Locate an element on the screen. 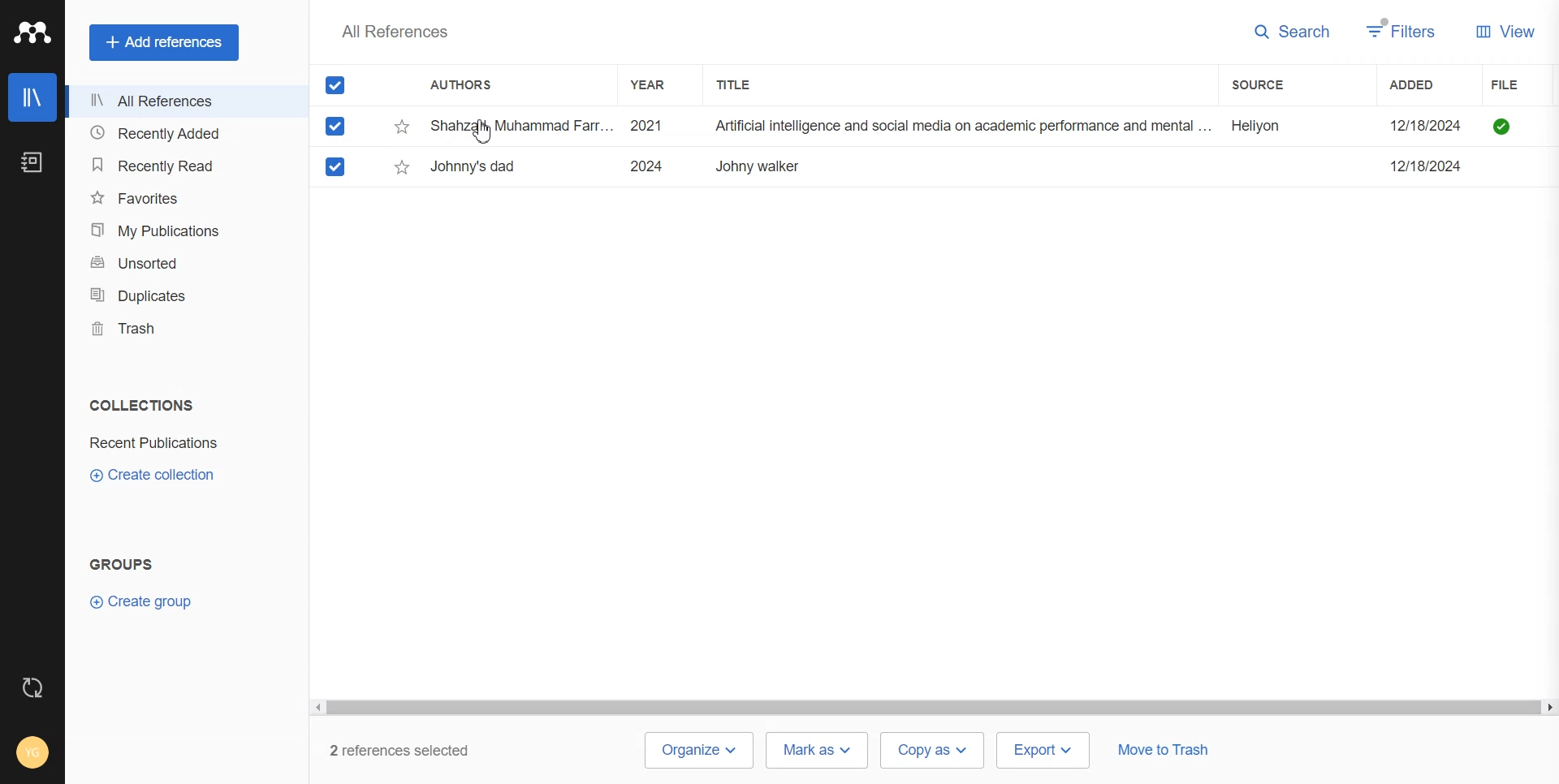 The width and height of the screenshot is (1559, 784). Copy as is located at coordinates (934, 751).